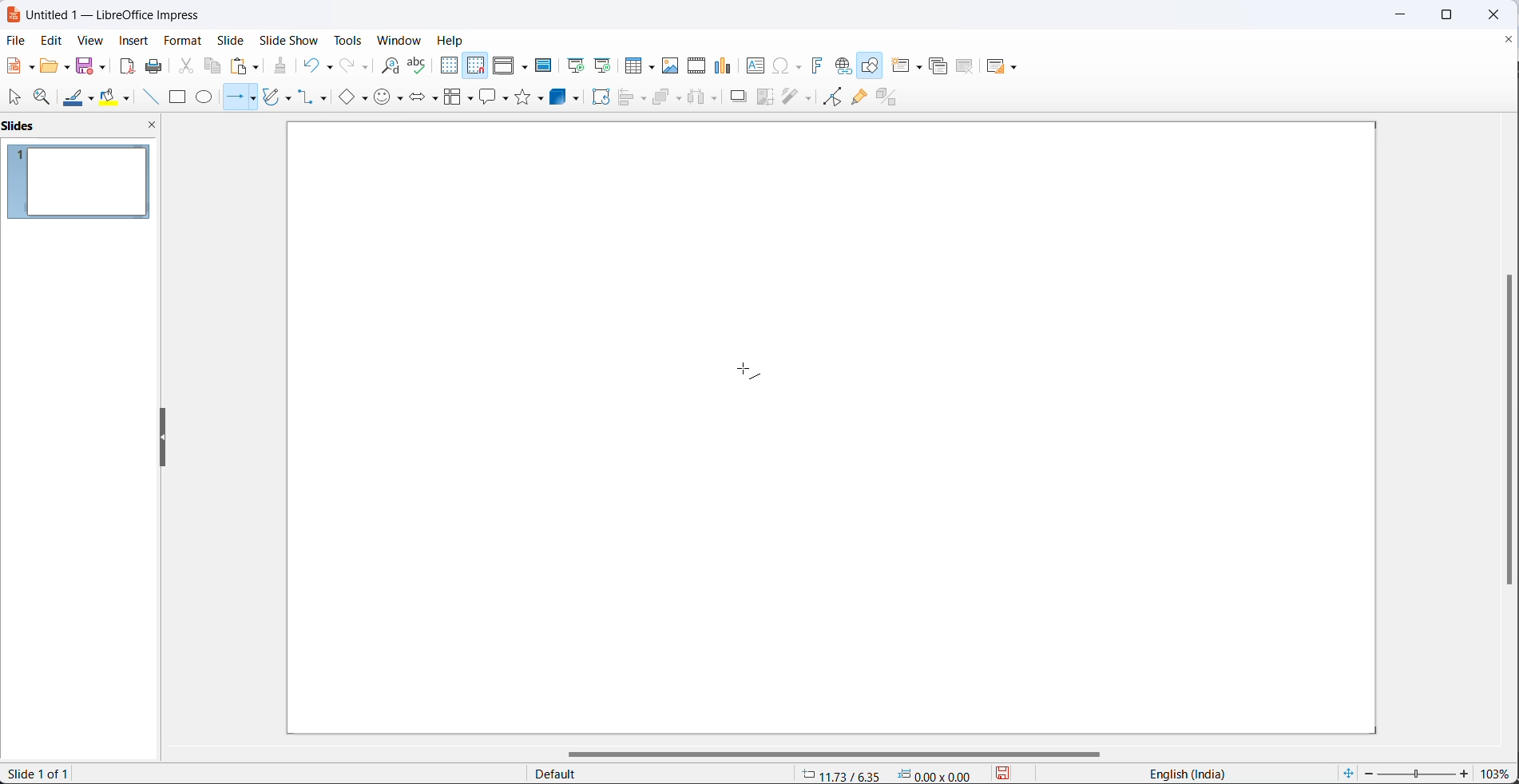 This screenshot has width=1519, height=784. I want to click on format, so click(184, 40).